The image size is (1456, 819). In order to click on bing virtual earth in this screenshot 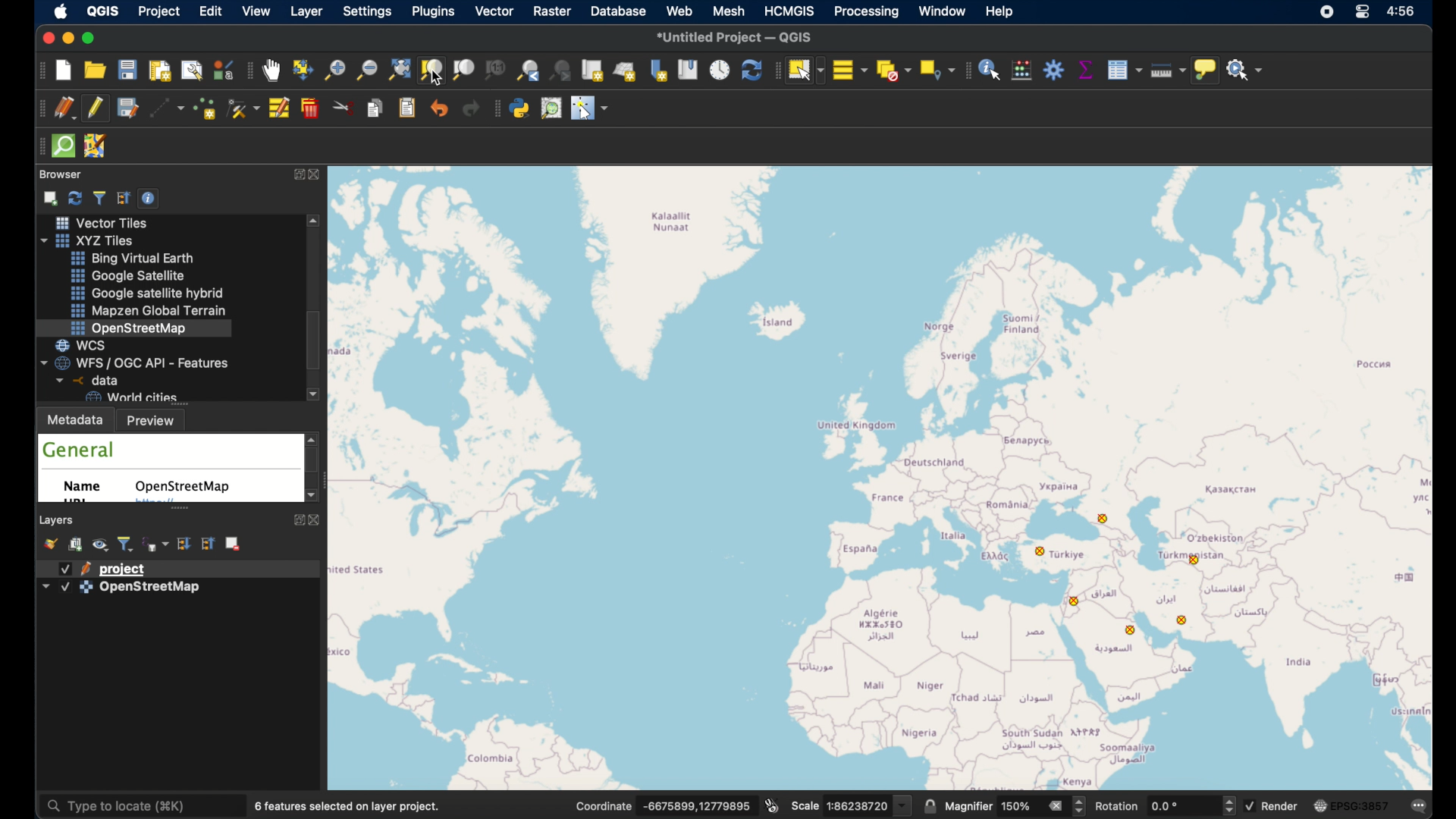, I will do `click(136, 259)`.